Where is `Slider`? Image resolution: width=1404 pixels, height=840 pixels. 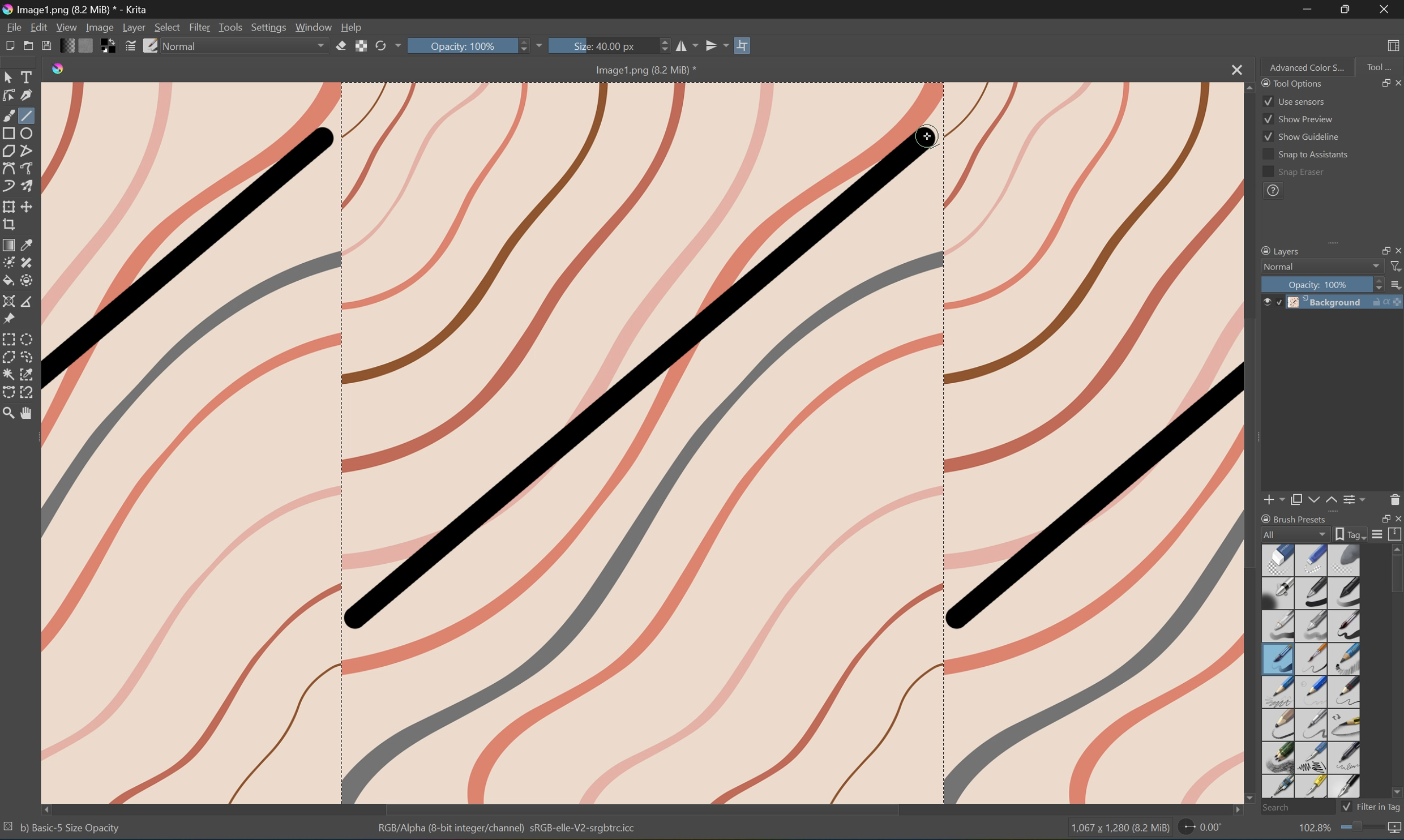
Slider is located at coordinates (526, 46).